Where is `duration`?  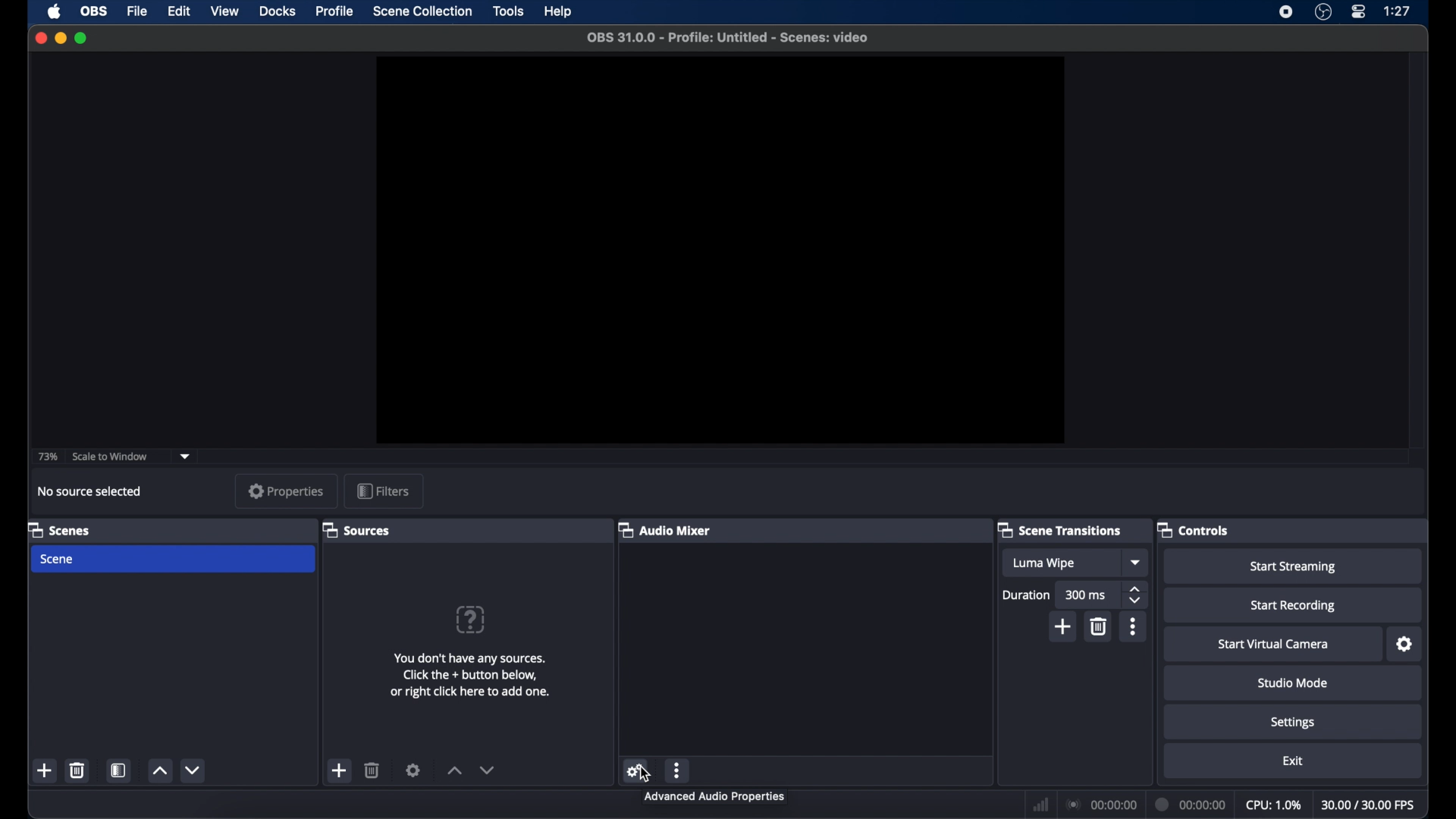 duration is located at coordinates (1191, 805).